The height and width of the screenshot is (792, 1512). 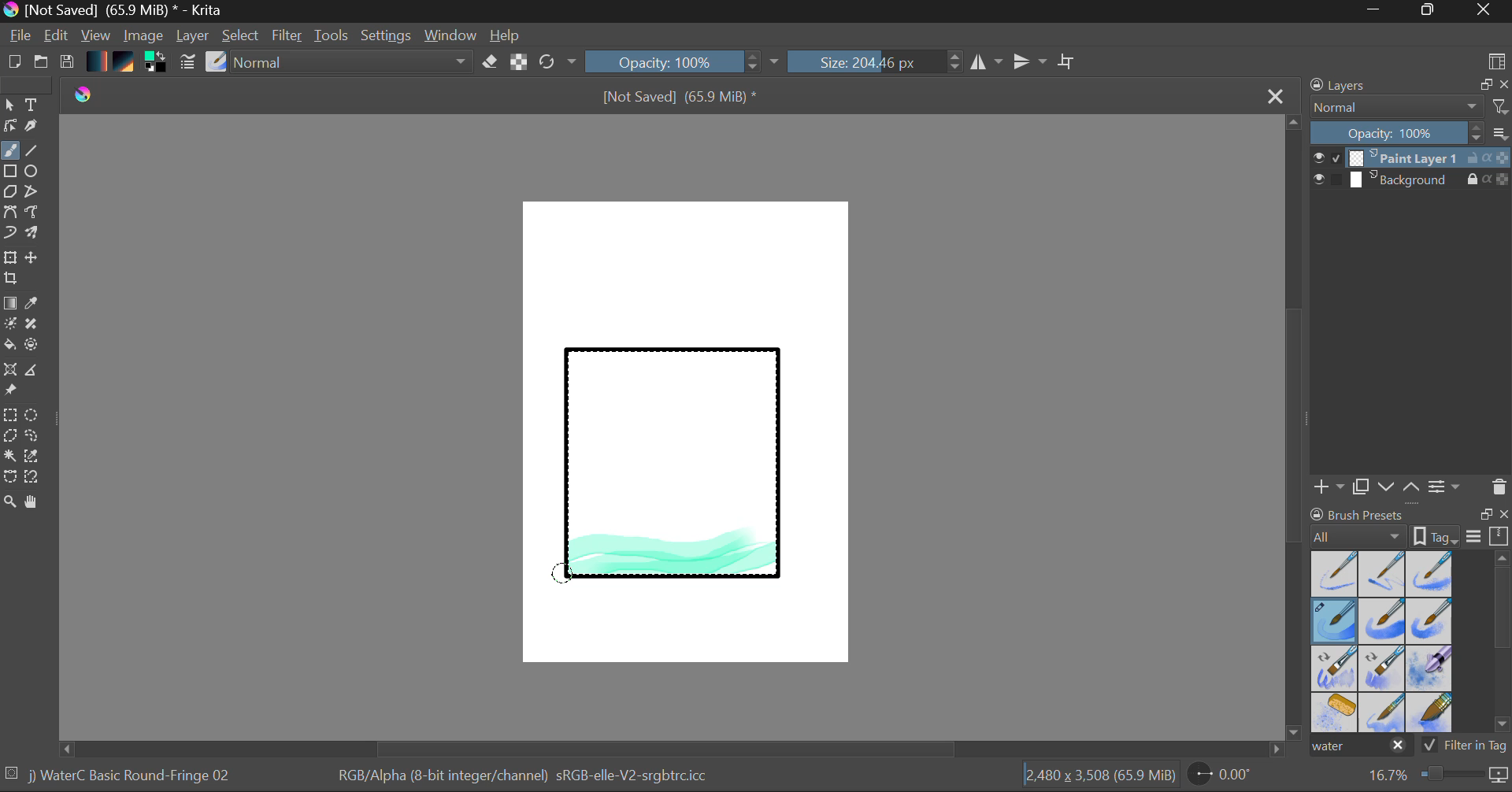 I want to click on File Name & Size, so click(x=680, y=98).